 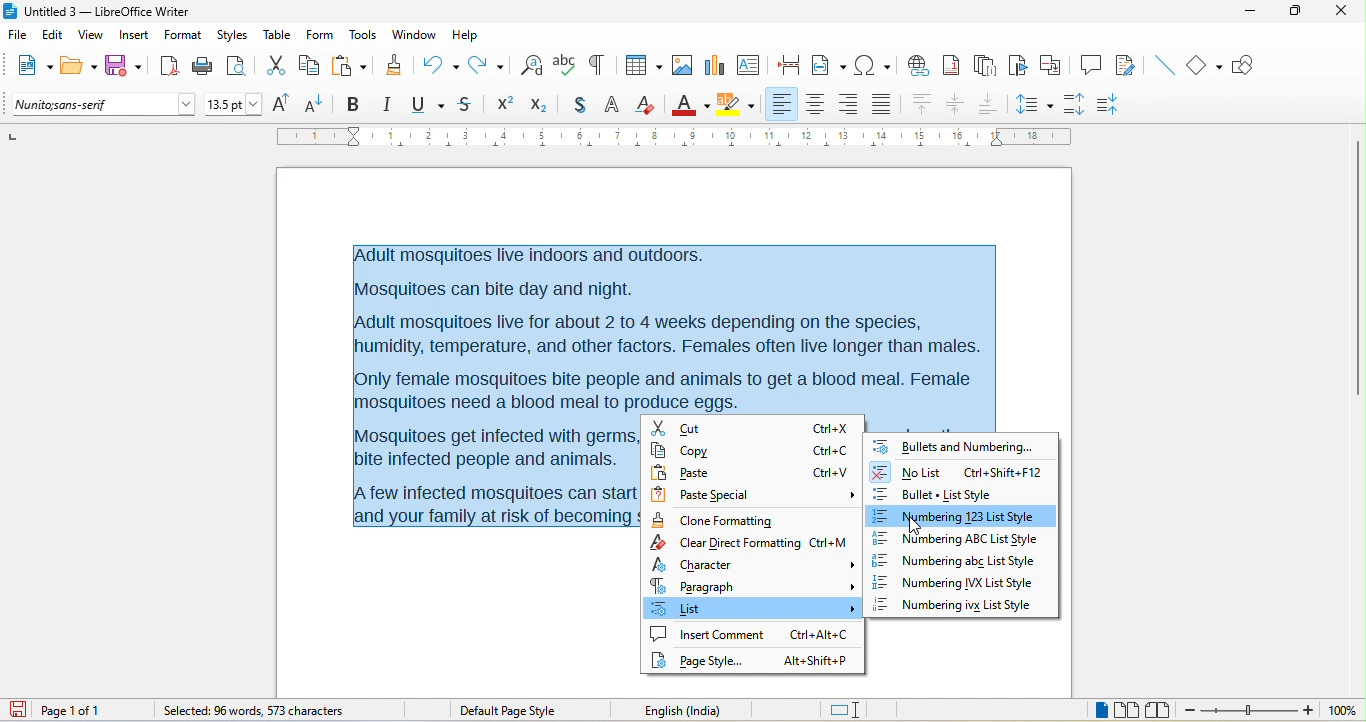 I want to click on cut, so click(x=753, y=428).